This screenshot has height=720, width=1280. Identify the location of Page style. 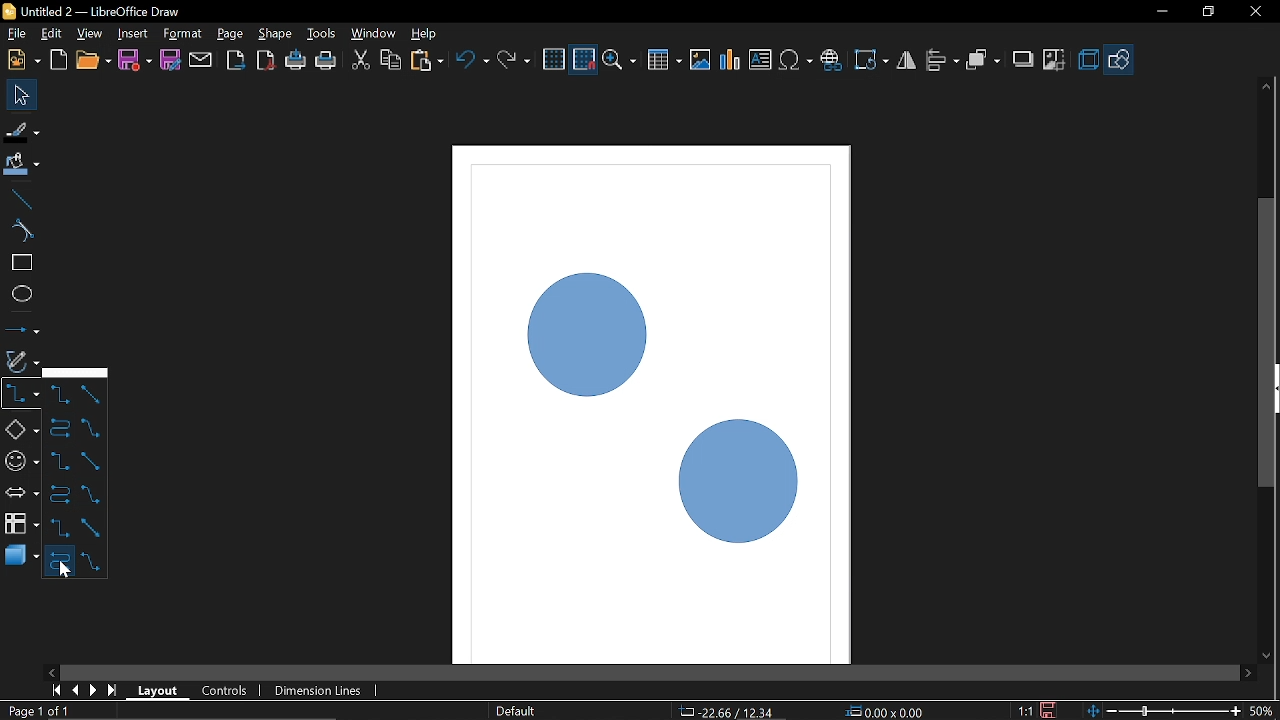
(516, 712).